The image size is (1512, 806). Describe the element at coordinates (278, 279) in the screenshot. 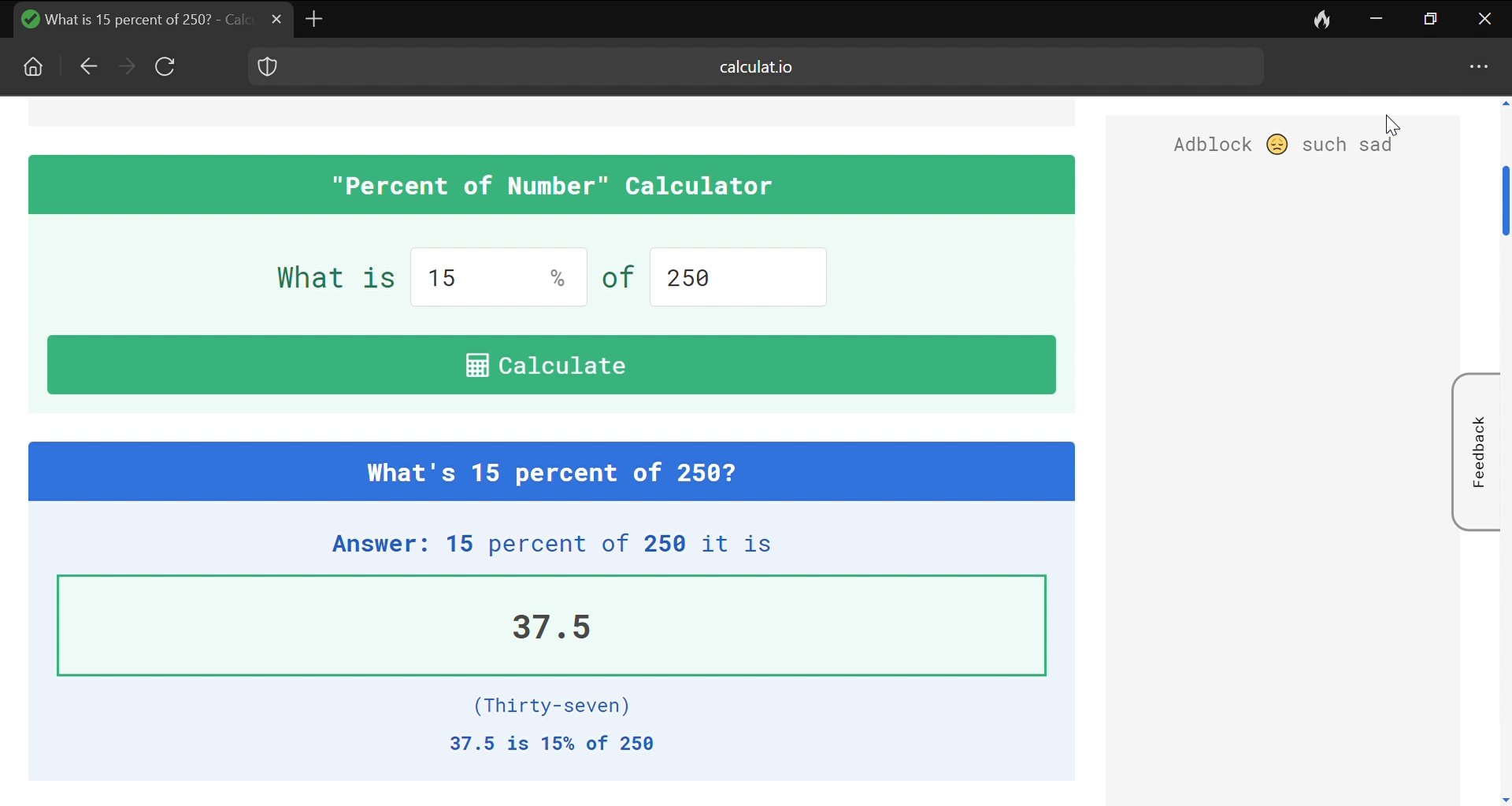

I see `What is ` at that location.